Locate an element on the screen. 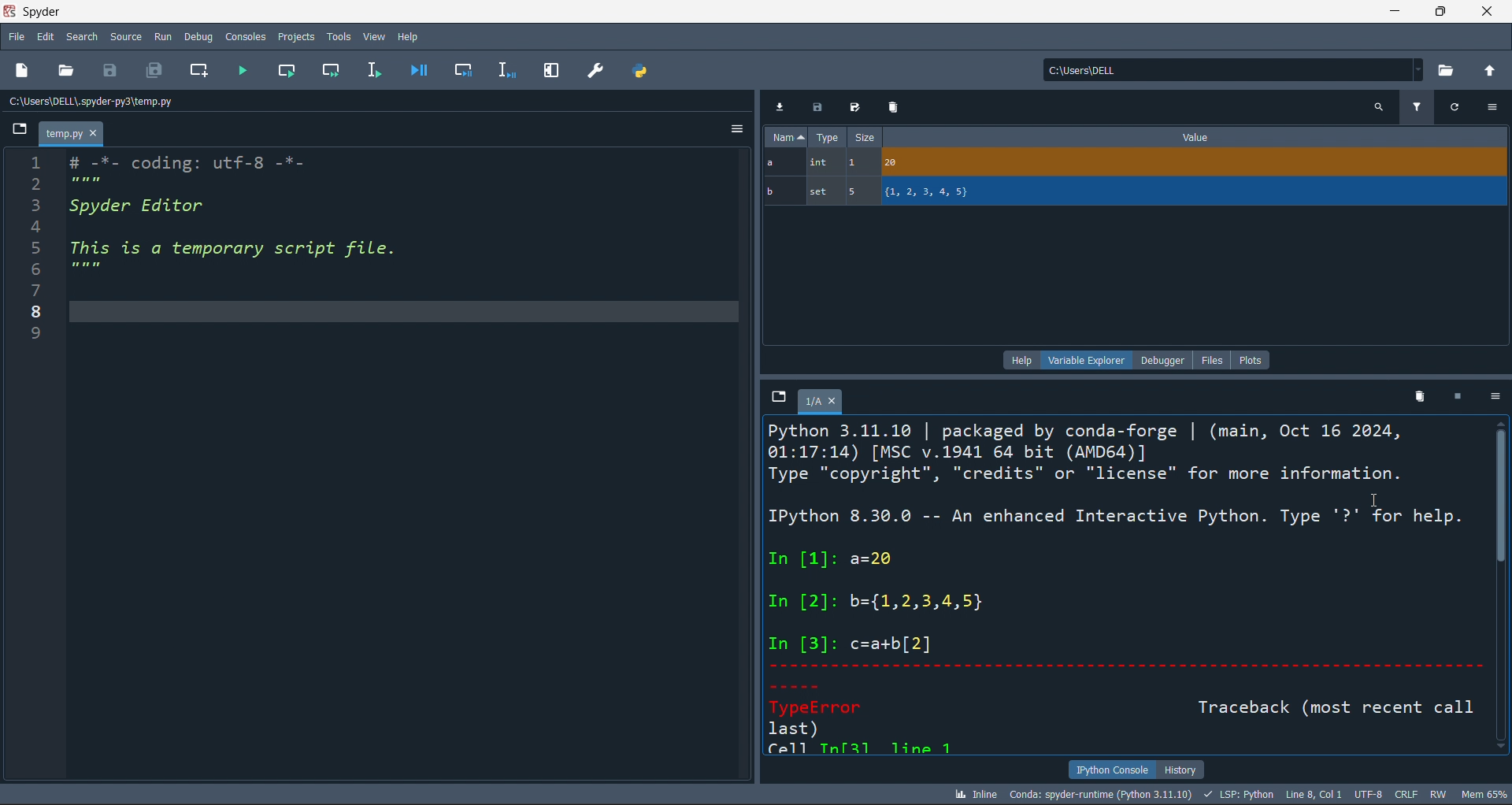 The width and height of the screenshot is (1512, 805). save data is located at coordinates (815, 108).